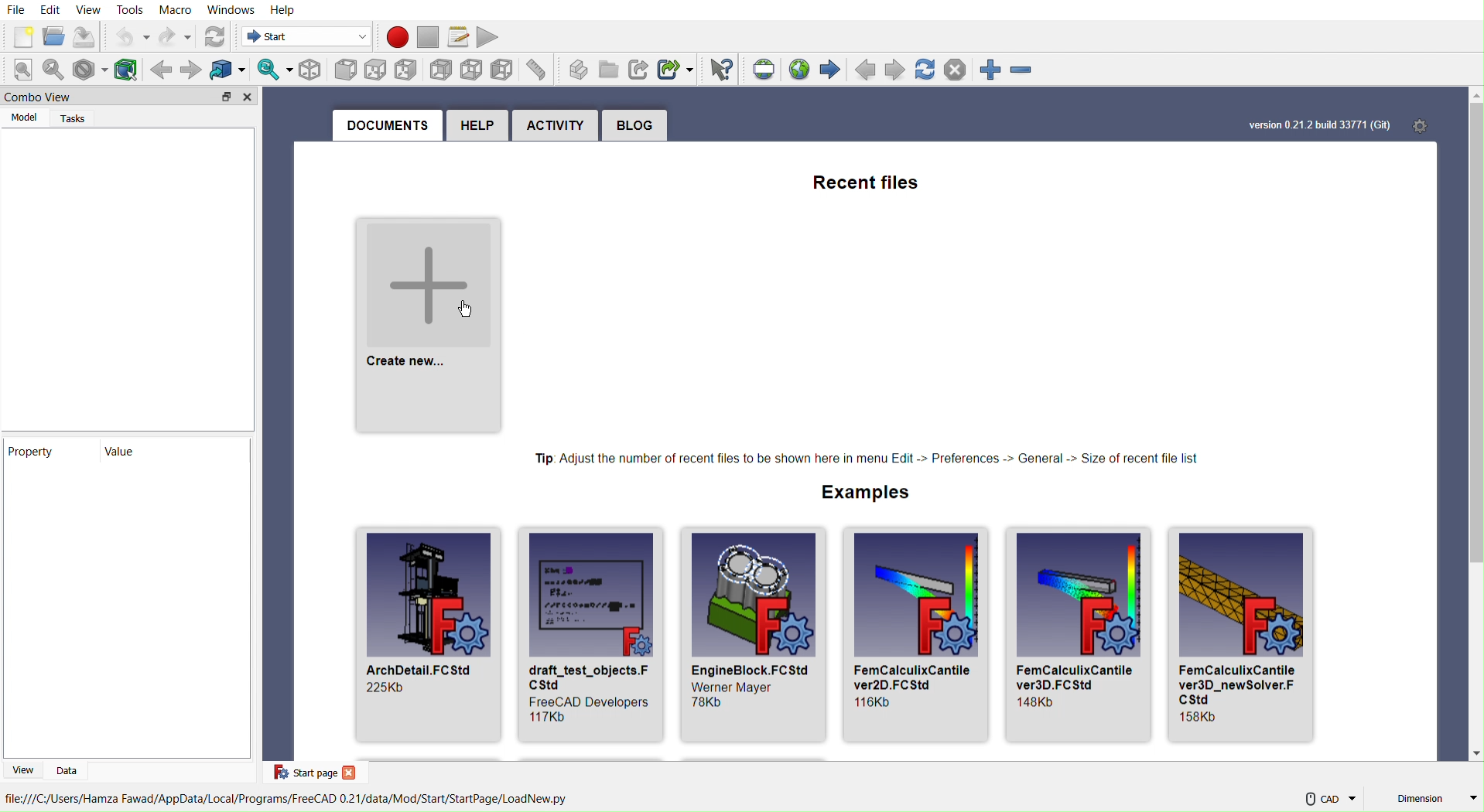 Image resolution: width=1484 pixels, height=812 pixels. I want to click on Combo View, so click(131, 96).